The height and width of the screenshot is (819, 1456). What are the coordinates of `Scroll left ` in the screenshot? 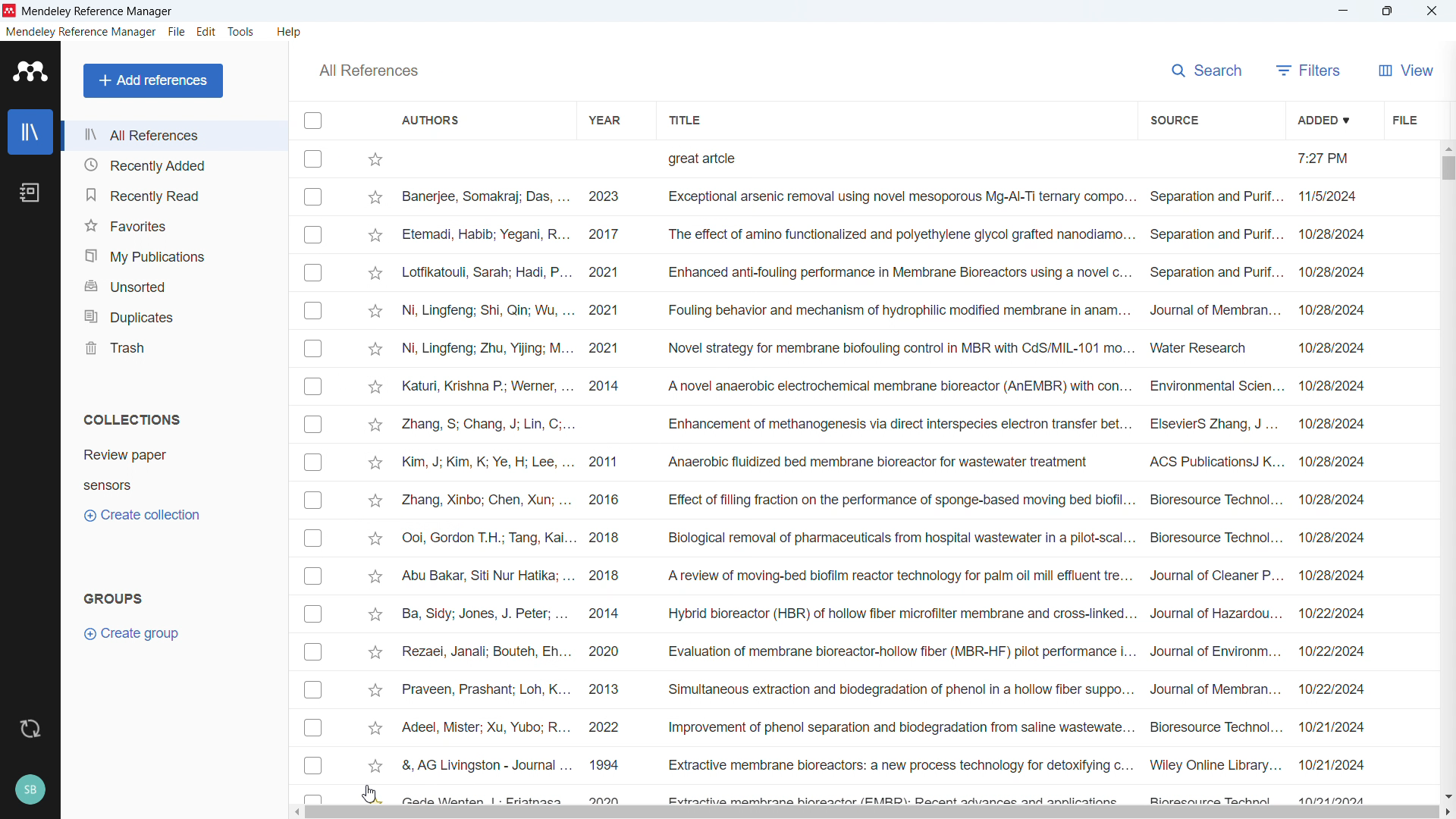 It's located at (296, 812).